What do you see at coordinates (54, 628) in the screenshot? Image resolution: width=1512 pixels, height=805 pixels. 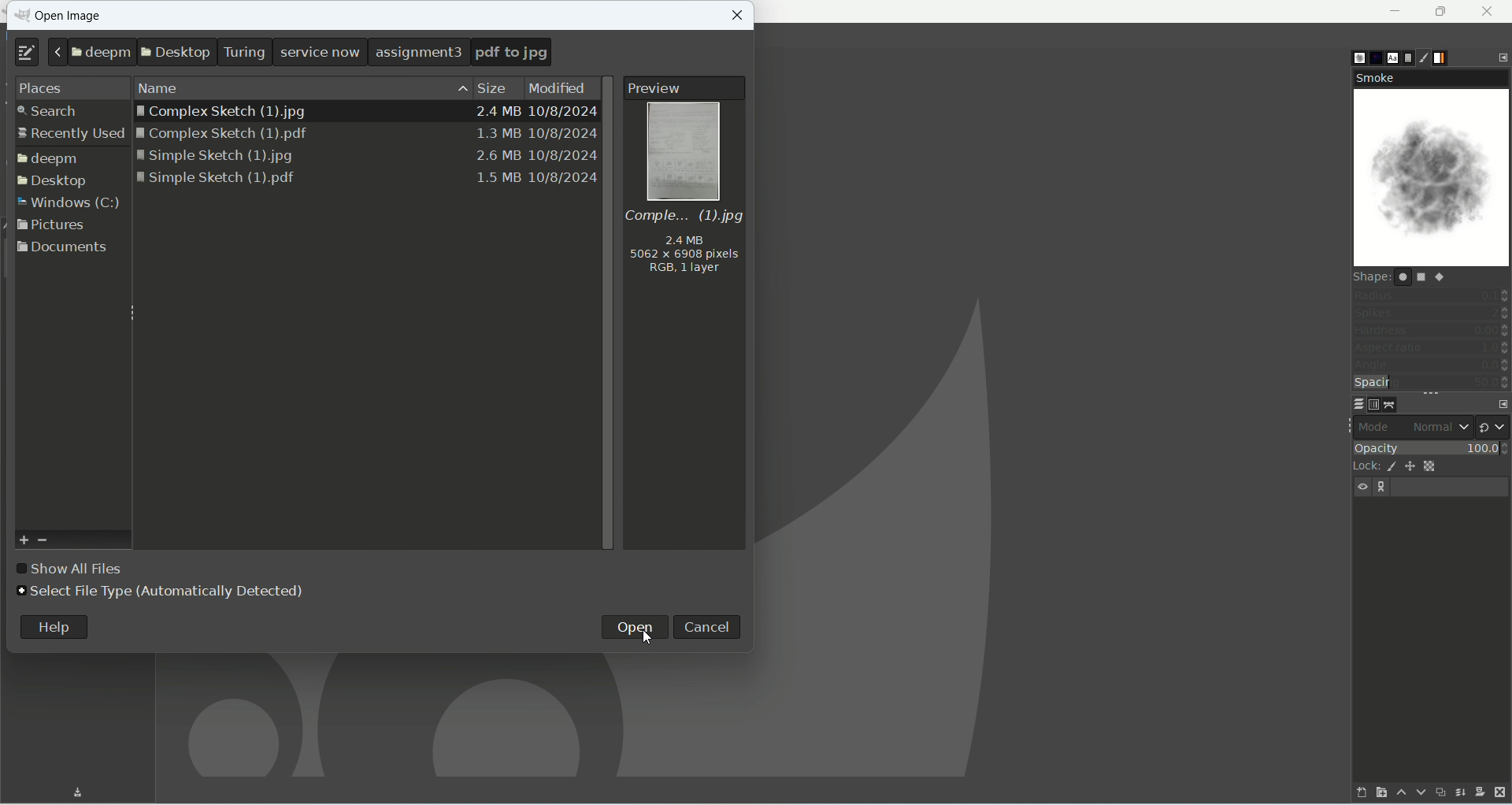 I see `help` at bounding box center [54, 628].